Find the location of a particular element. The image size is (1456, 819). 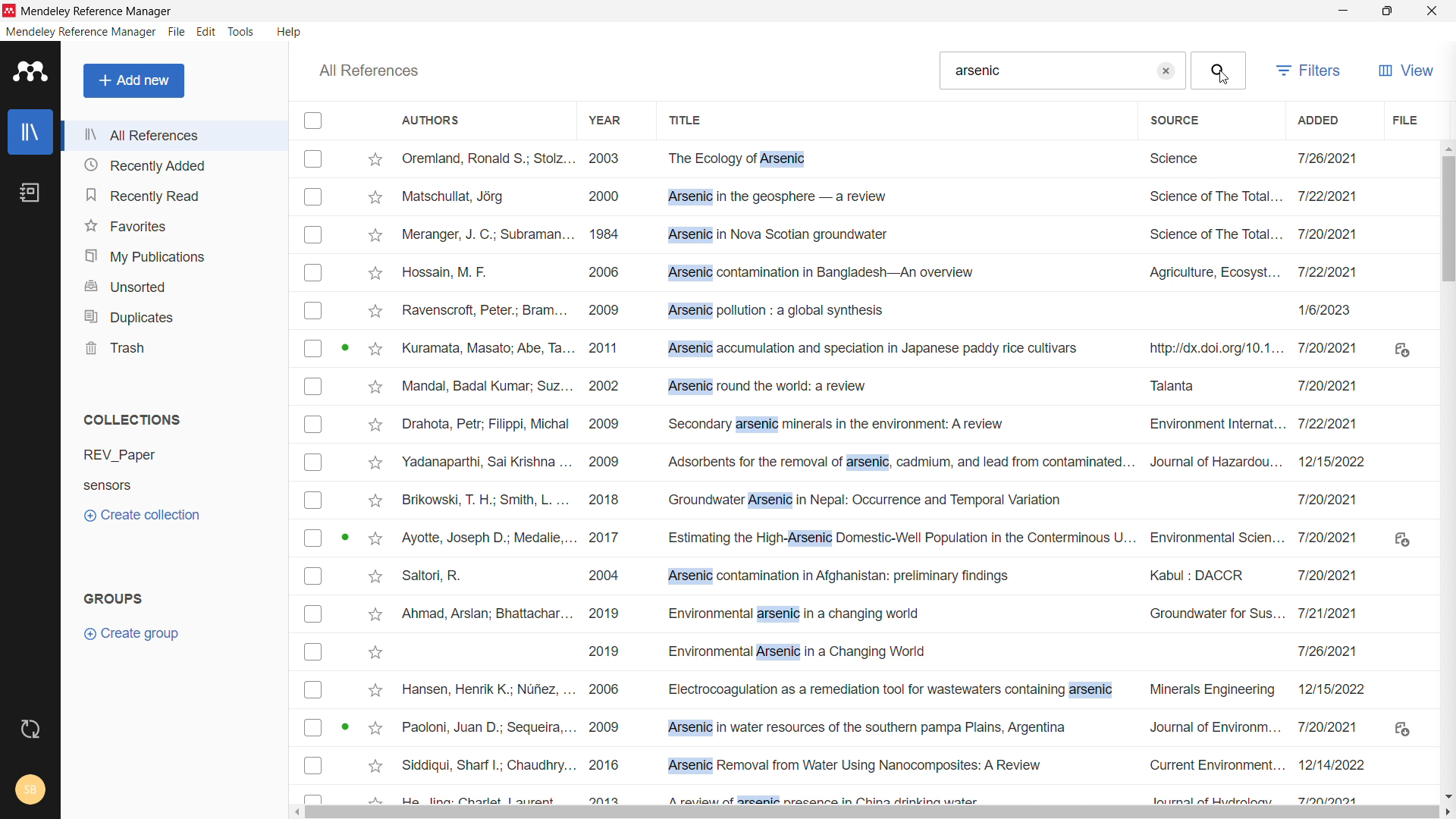

Checkbox is located at coordinates (312, 765).